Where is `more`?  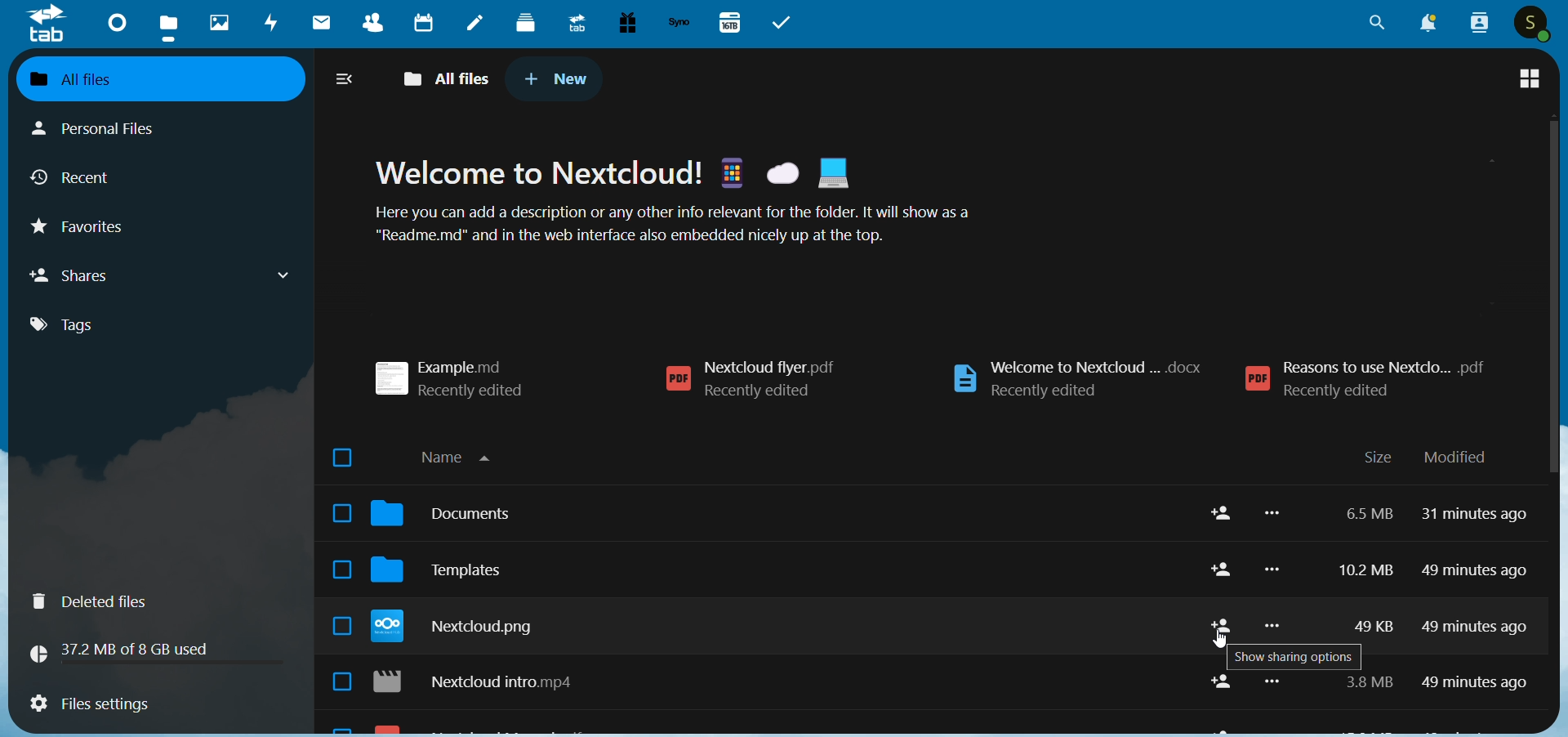 more is located at coordinates (1275, 598).